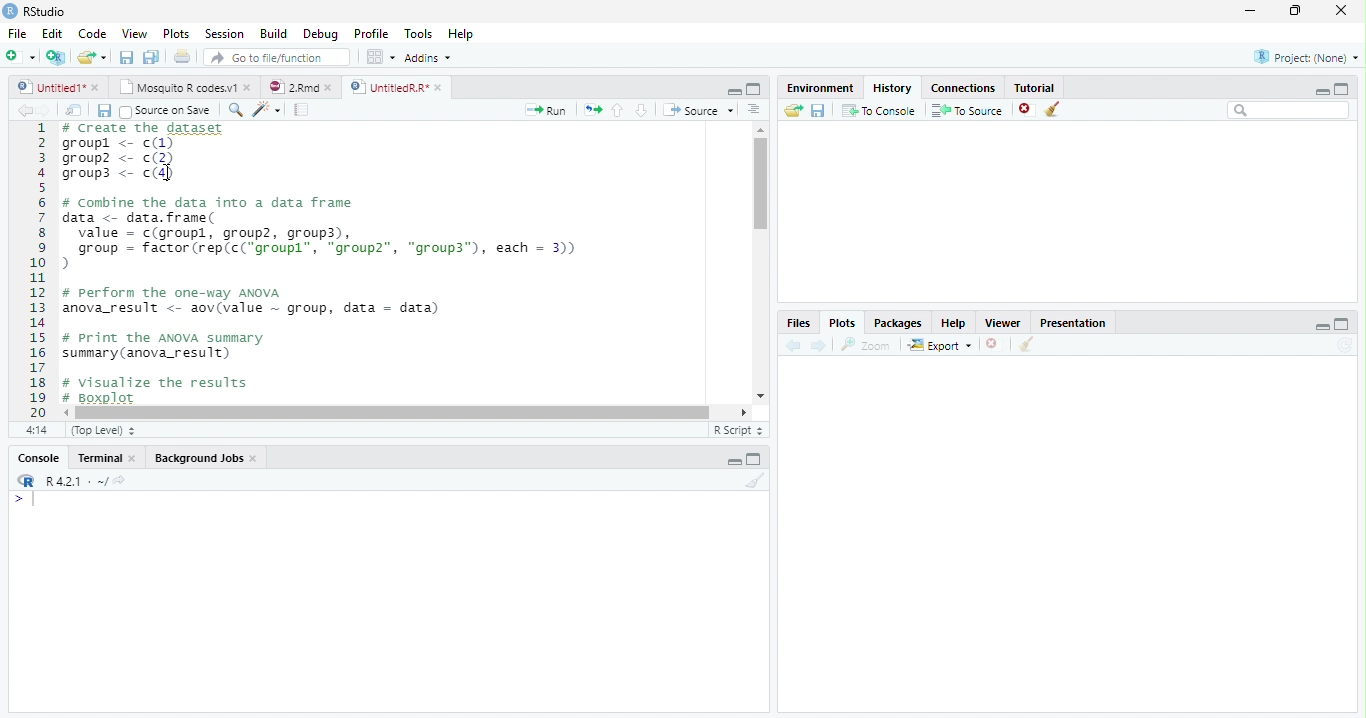 The image size is (1366, 718). Describe the element at coordinates (867, 345) in the screenshot. I see `Zoom` at that location.